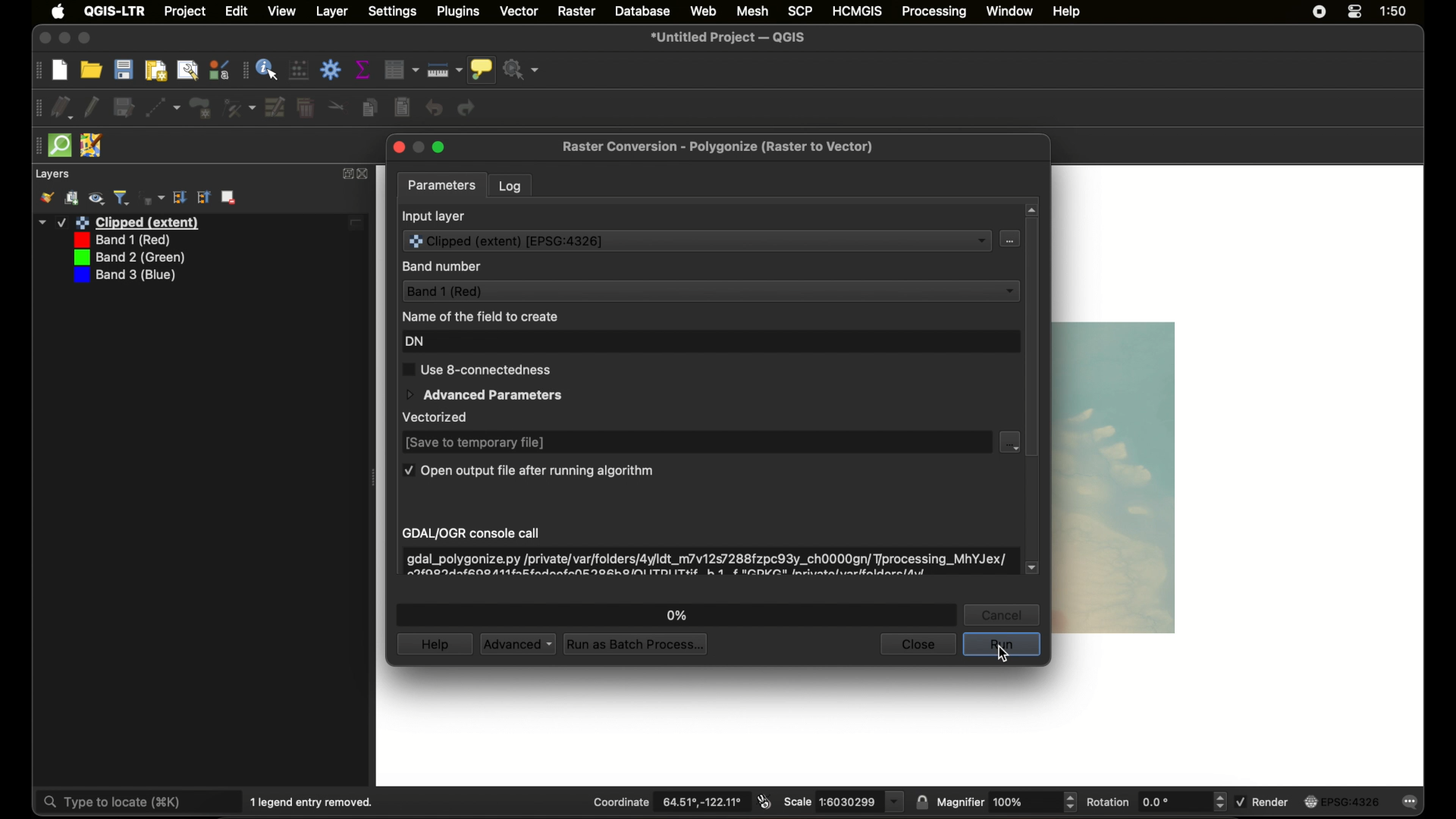 This screenshot has width=1456, height=819. I want to click on magnifier, so click(1006, 802).